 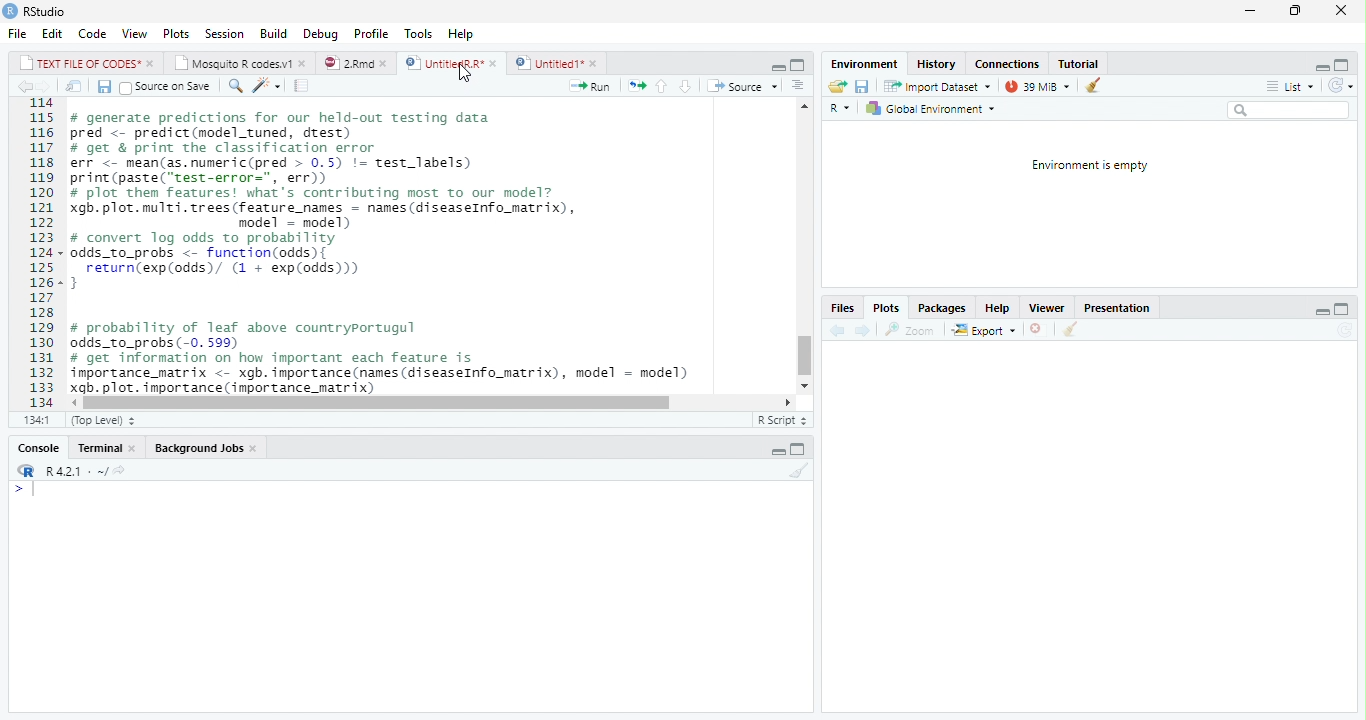 What do you see at coordinates (1340, 11) in the screenshot?
I see `Close` at bounding box center [1340, 11].